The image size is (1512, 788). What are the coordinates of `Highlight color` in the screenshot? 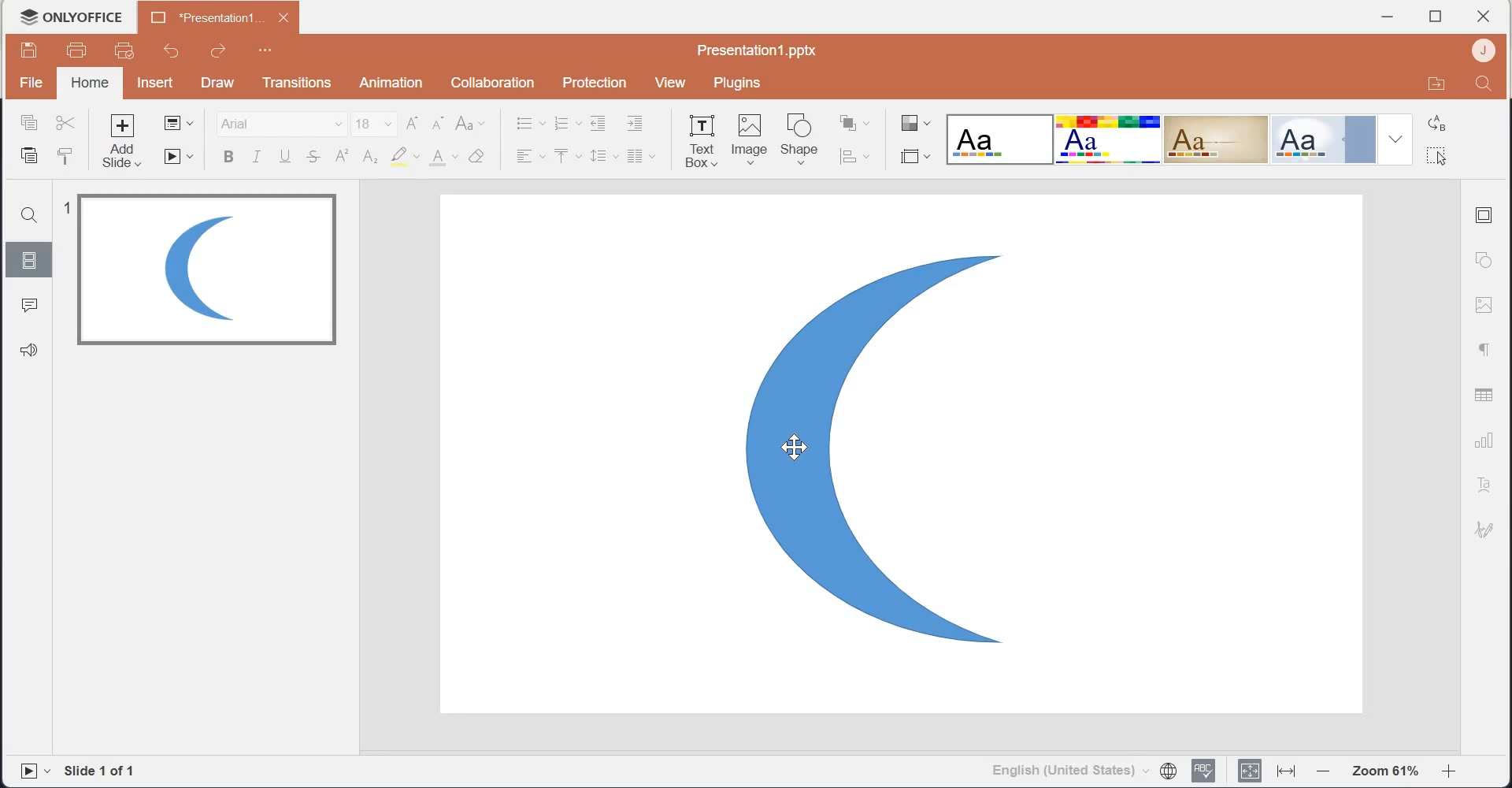 It's located at (406, 156).